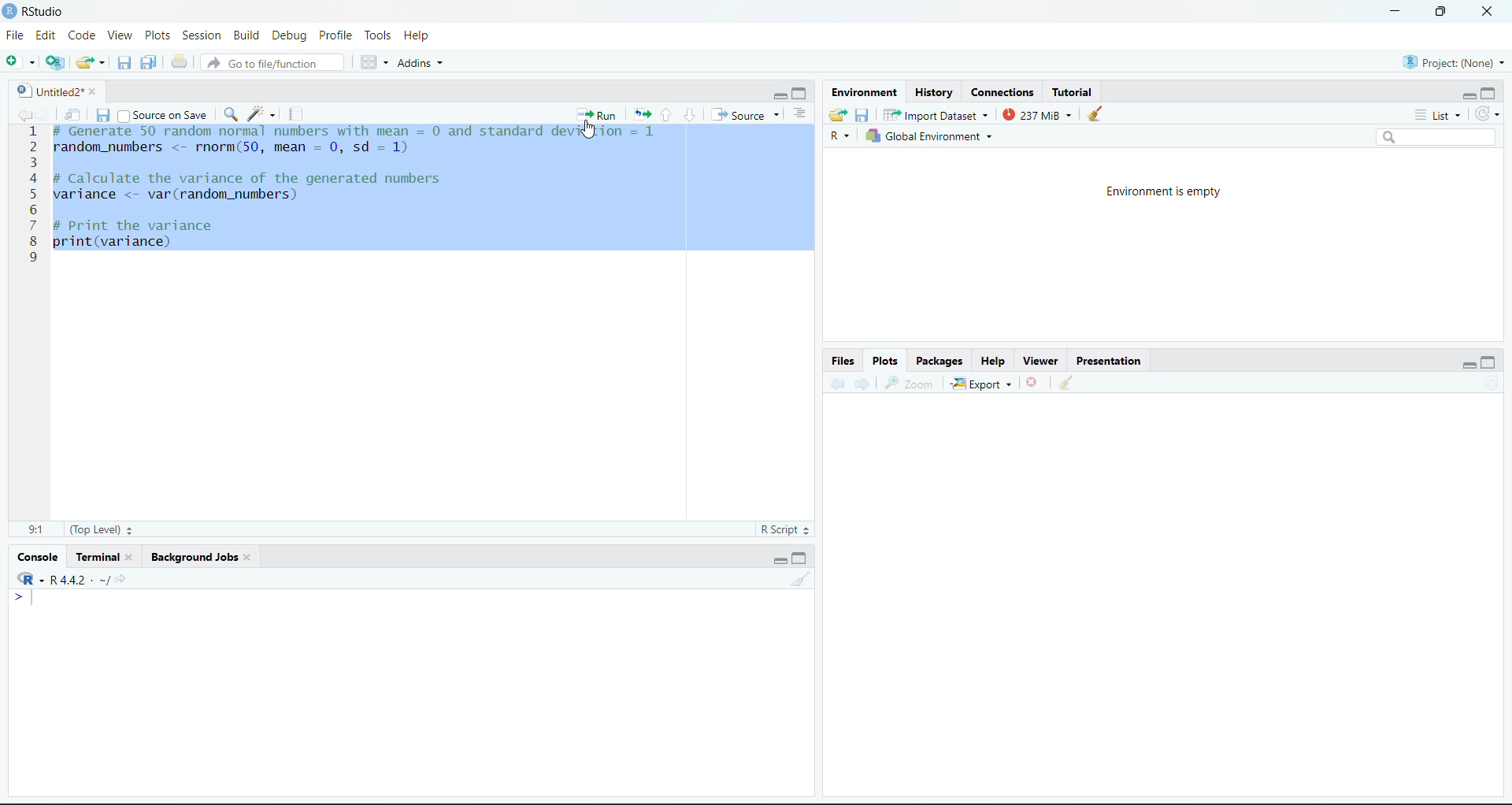  Describe the element at coordinates (801, 95) in the screenshot. I see `maximize` at that location.